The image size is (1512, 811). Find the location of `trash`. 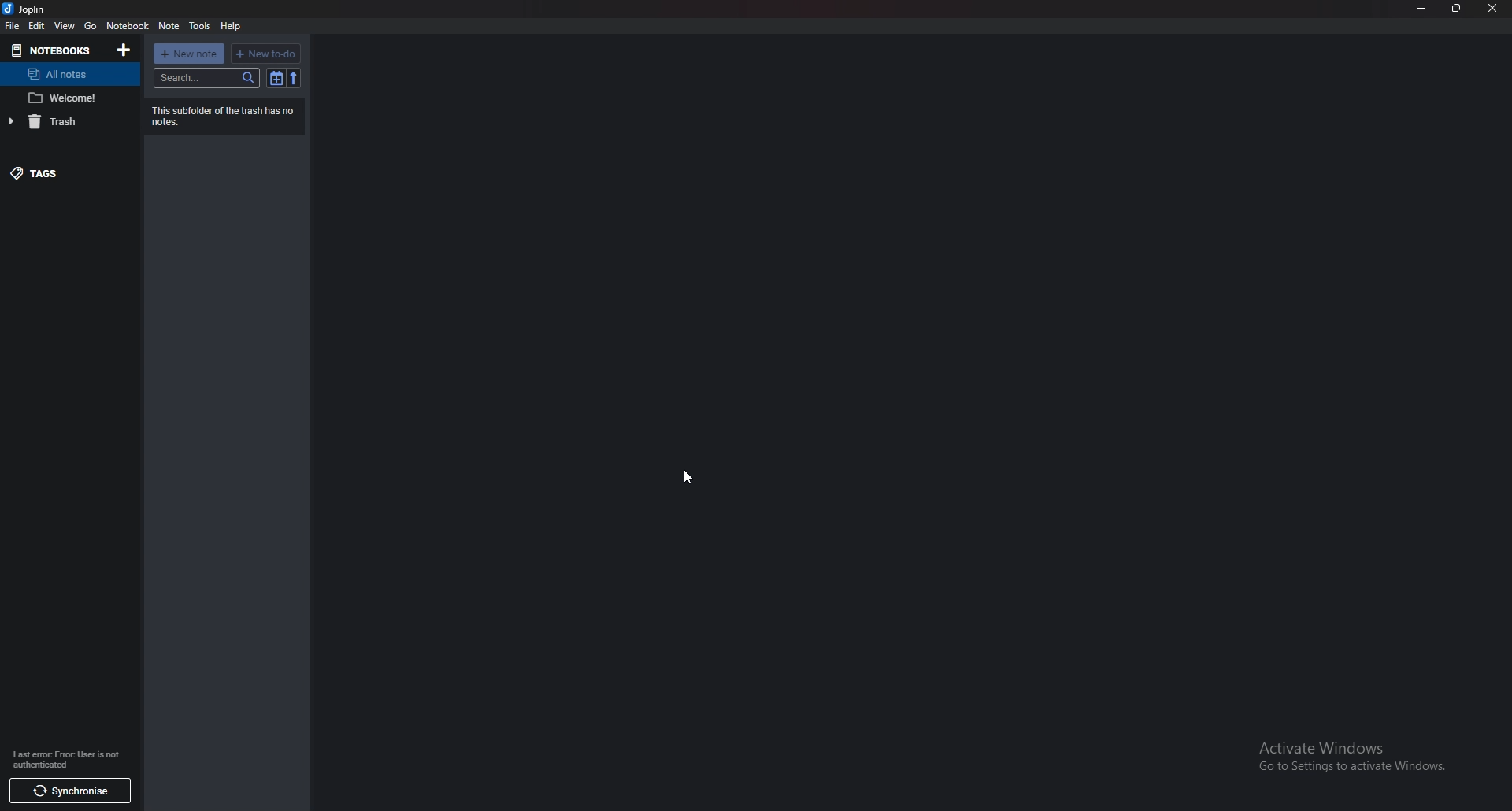

trash is located at coordinates (67, 121).